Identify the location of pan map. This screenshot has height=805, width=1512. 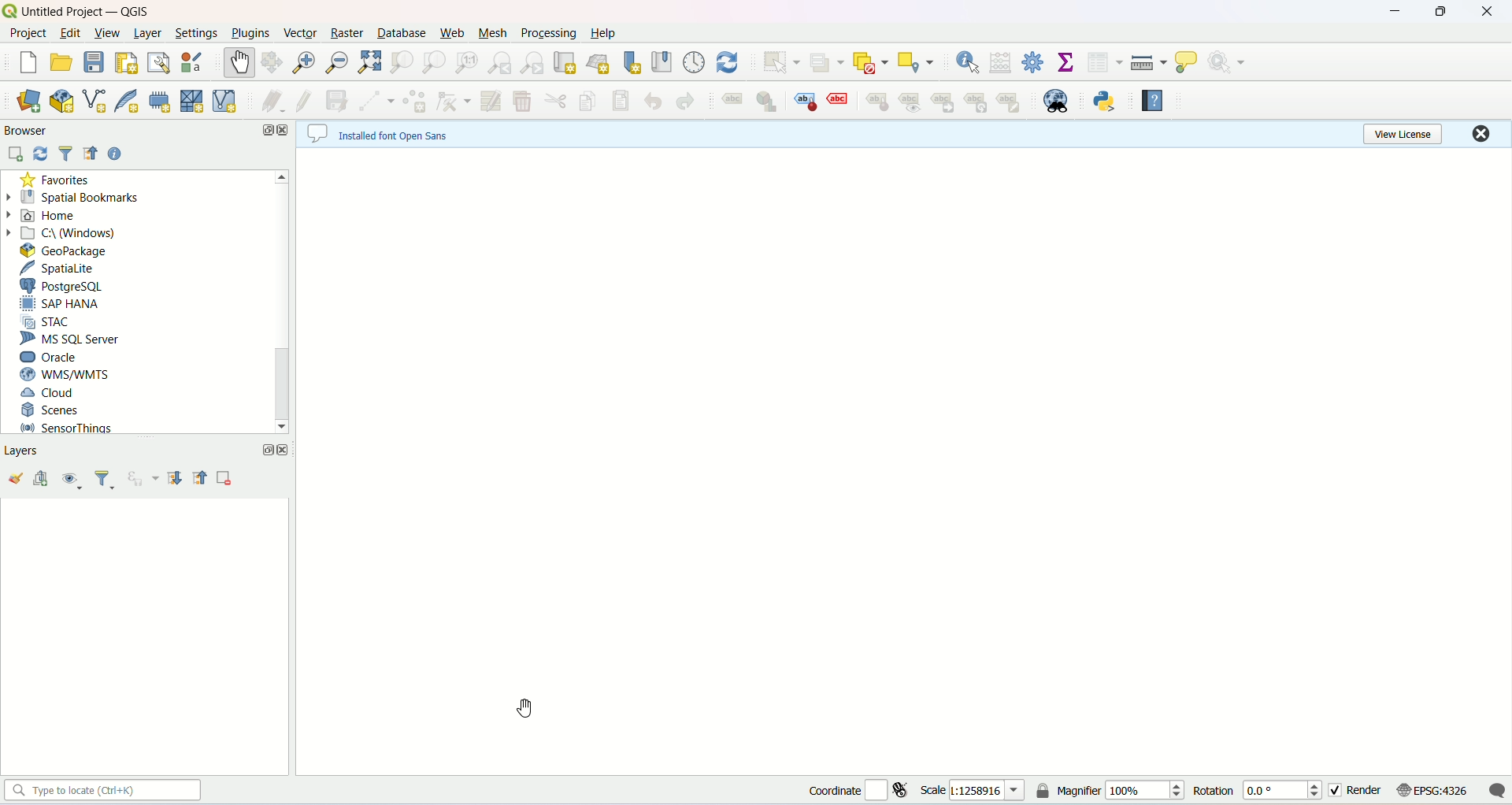
(239, 62).